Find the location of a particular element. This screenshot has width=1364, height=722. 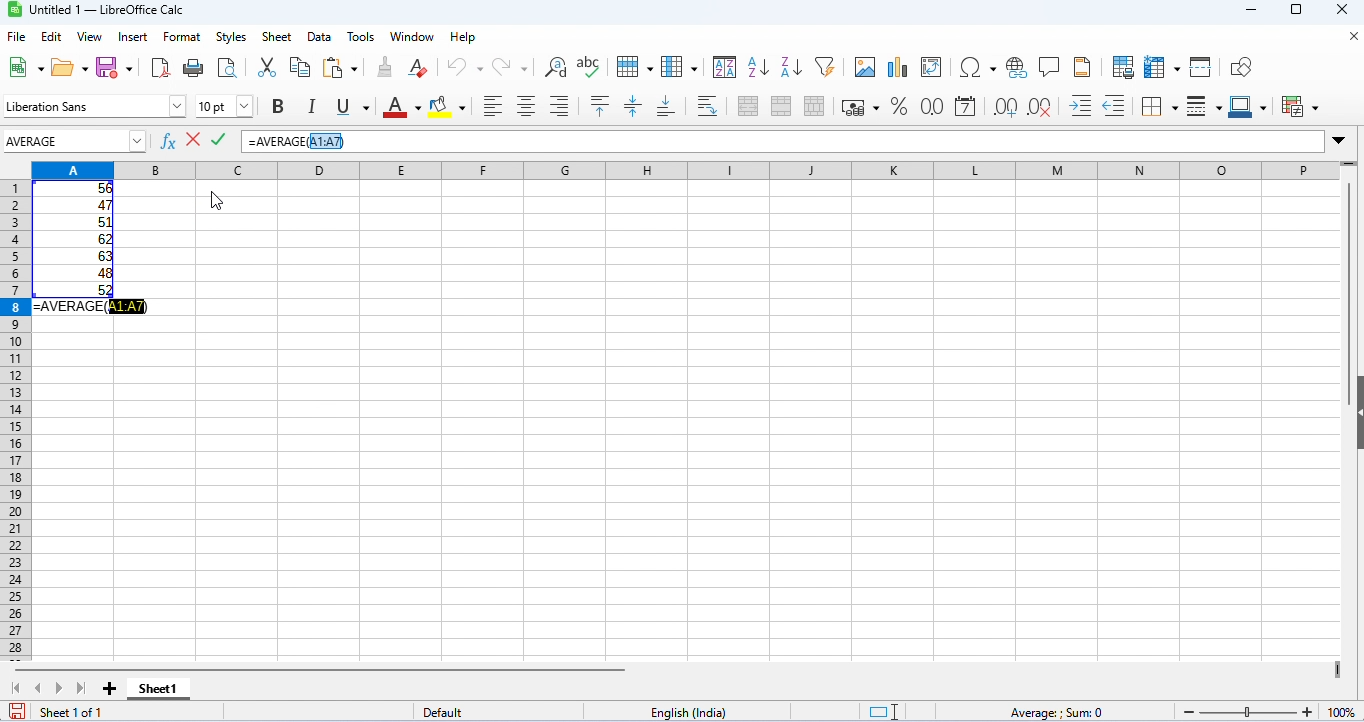

save is located at coordinates (17, 711).